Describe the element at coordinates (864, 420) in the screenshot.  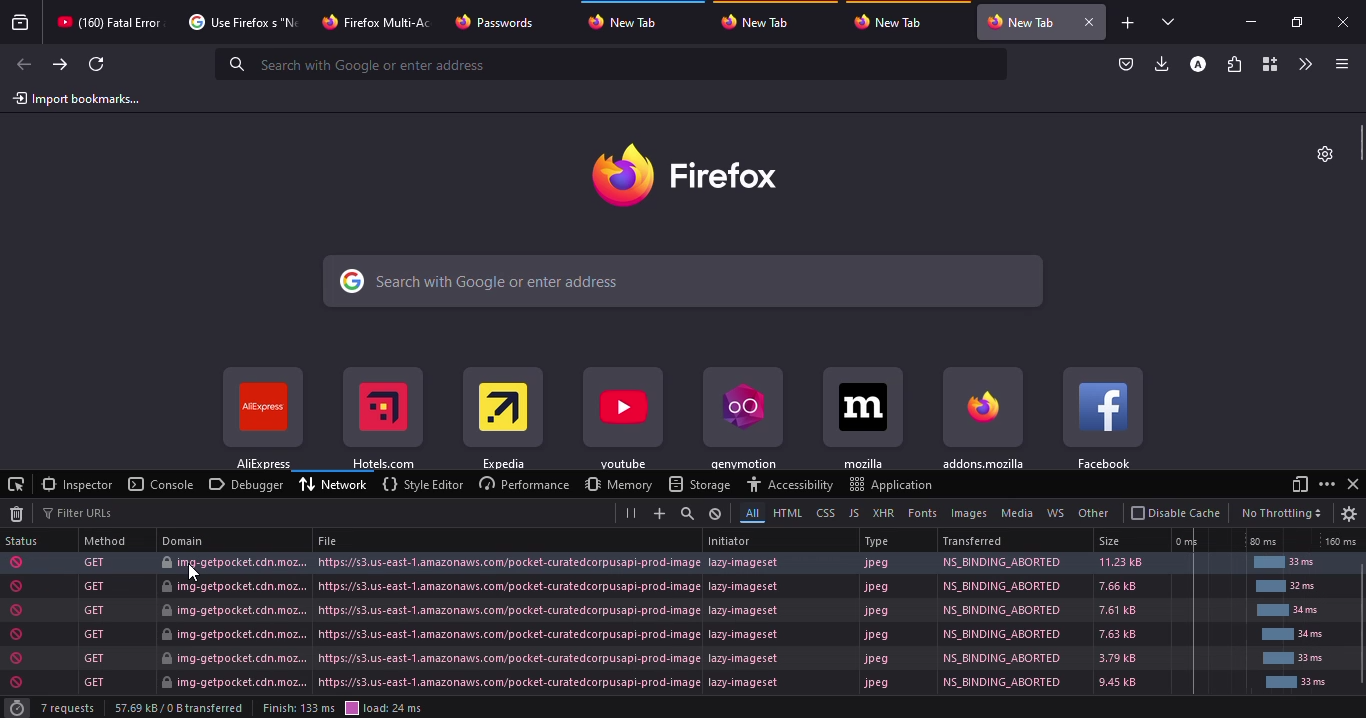
I see `shortcuts` at that location.